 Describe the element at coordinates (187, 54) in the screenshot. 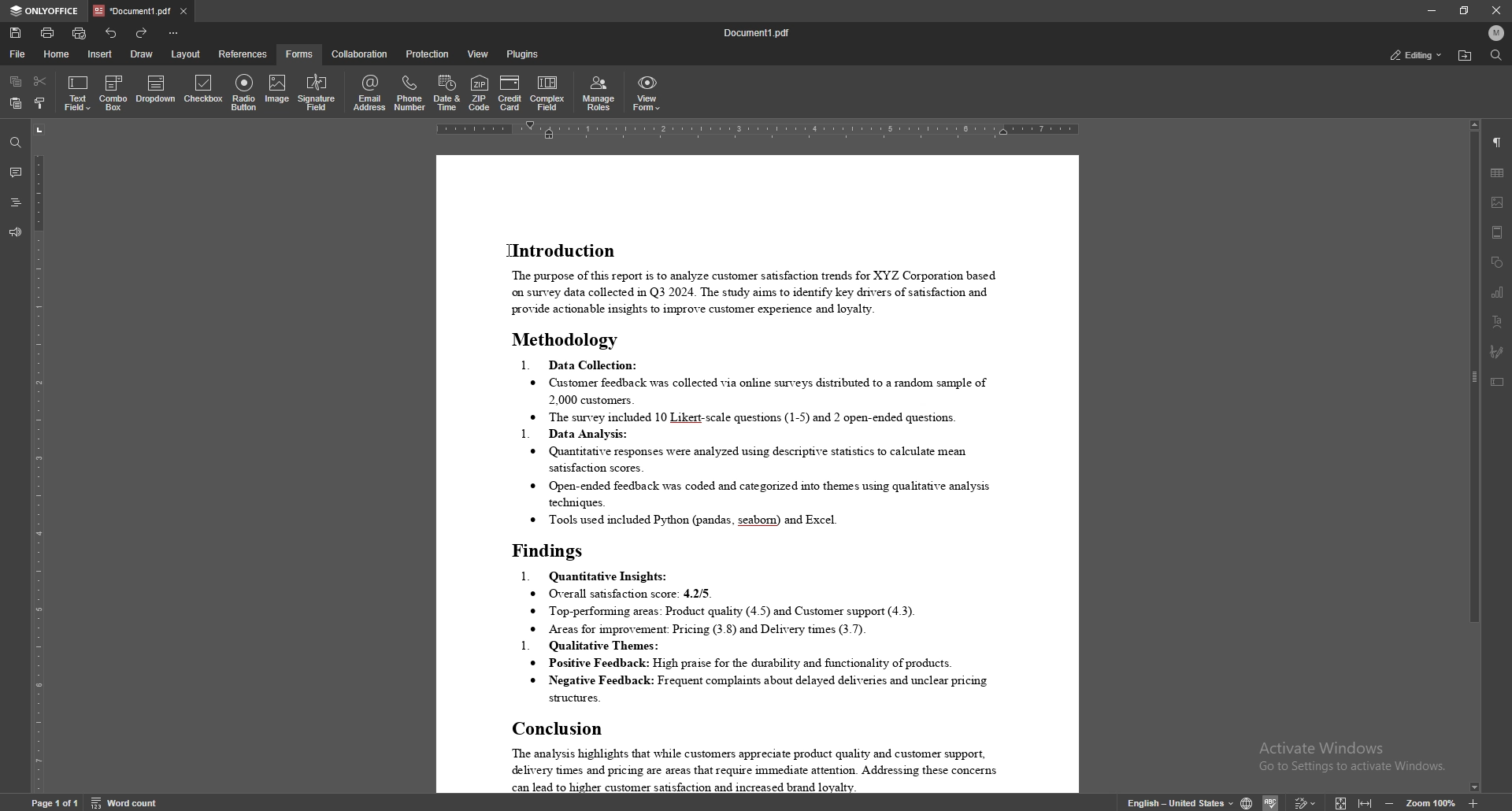

I see `layout` at that location.